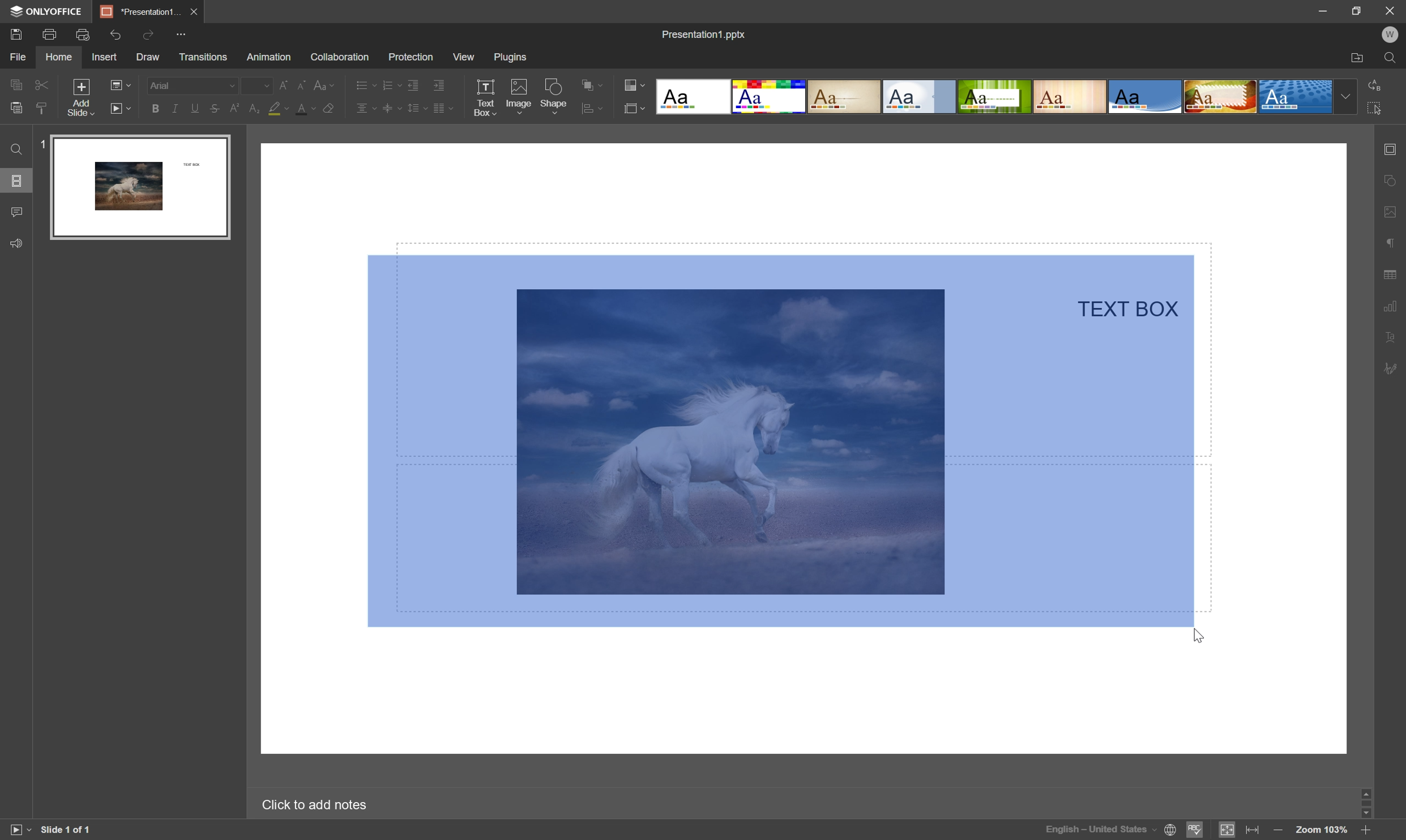  What do you see at coordinates (195, 11) in the screenshot?
I see `close` at bounding box center [195, 11].